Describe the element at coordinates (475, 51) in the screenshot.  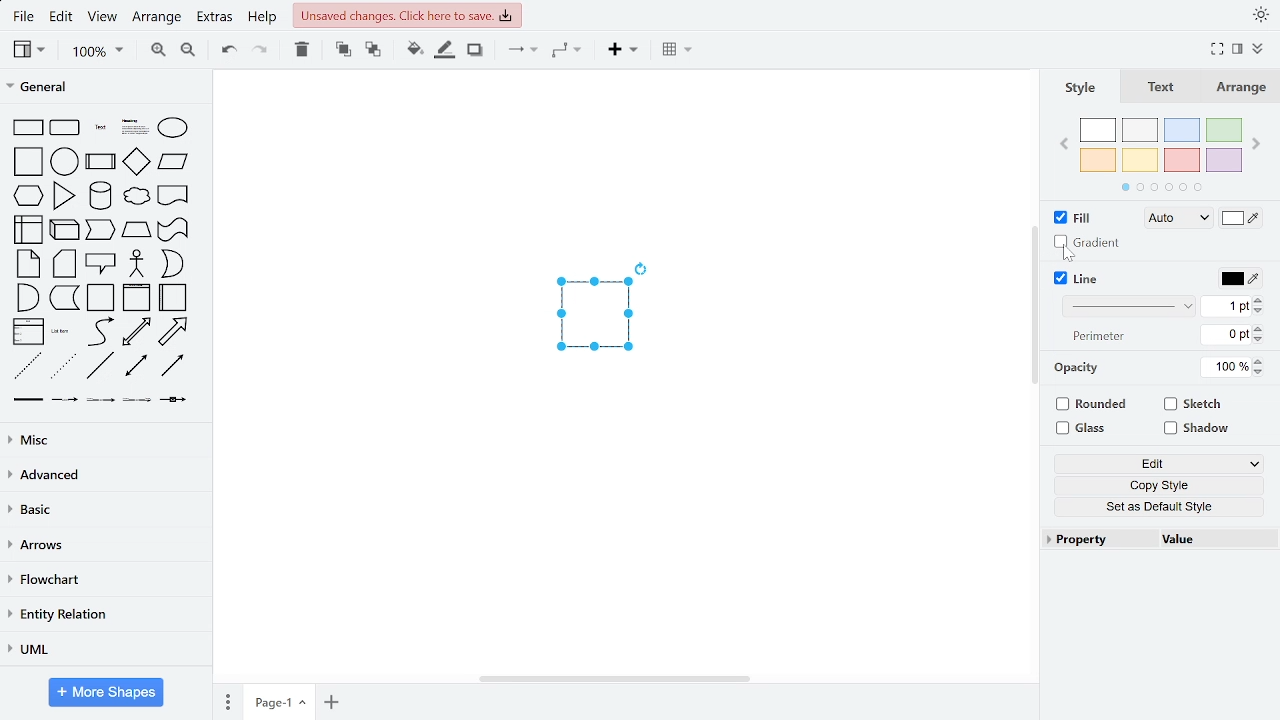
I see `shadow` at that location.